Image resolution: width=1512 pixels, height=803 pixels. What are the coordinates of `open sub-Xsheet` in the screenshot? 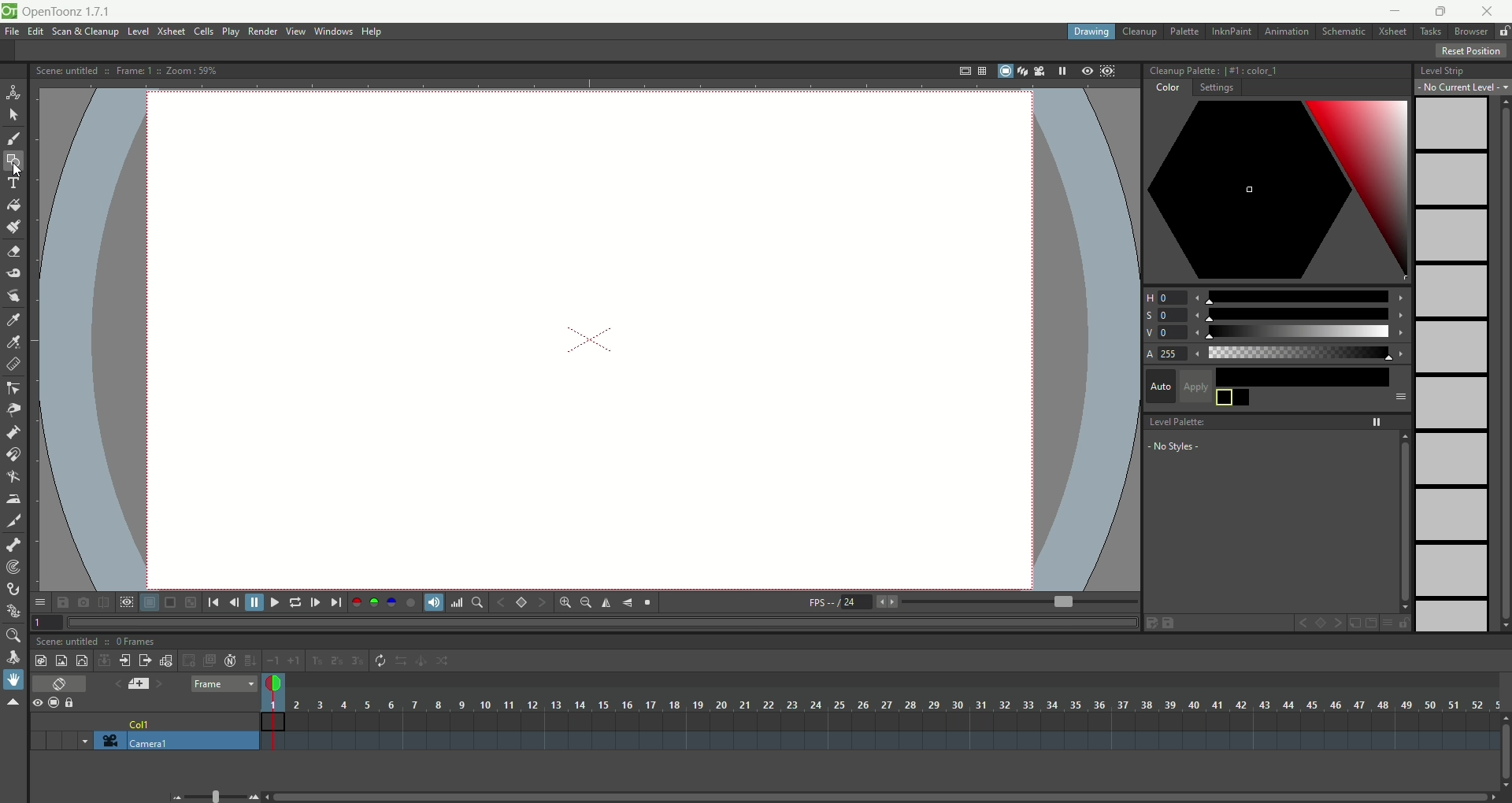 It's located at (126, 661).